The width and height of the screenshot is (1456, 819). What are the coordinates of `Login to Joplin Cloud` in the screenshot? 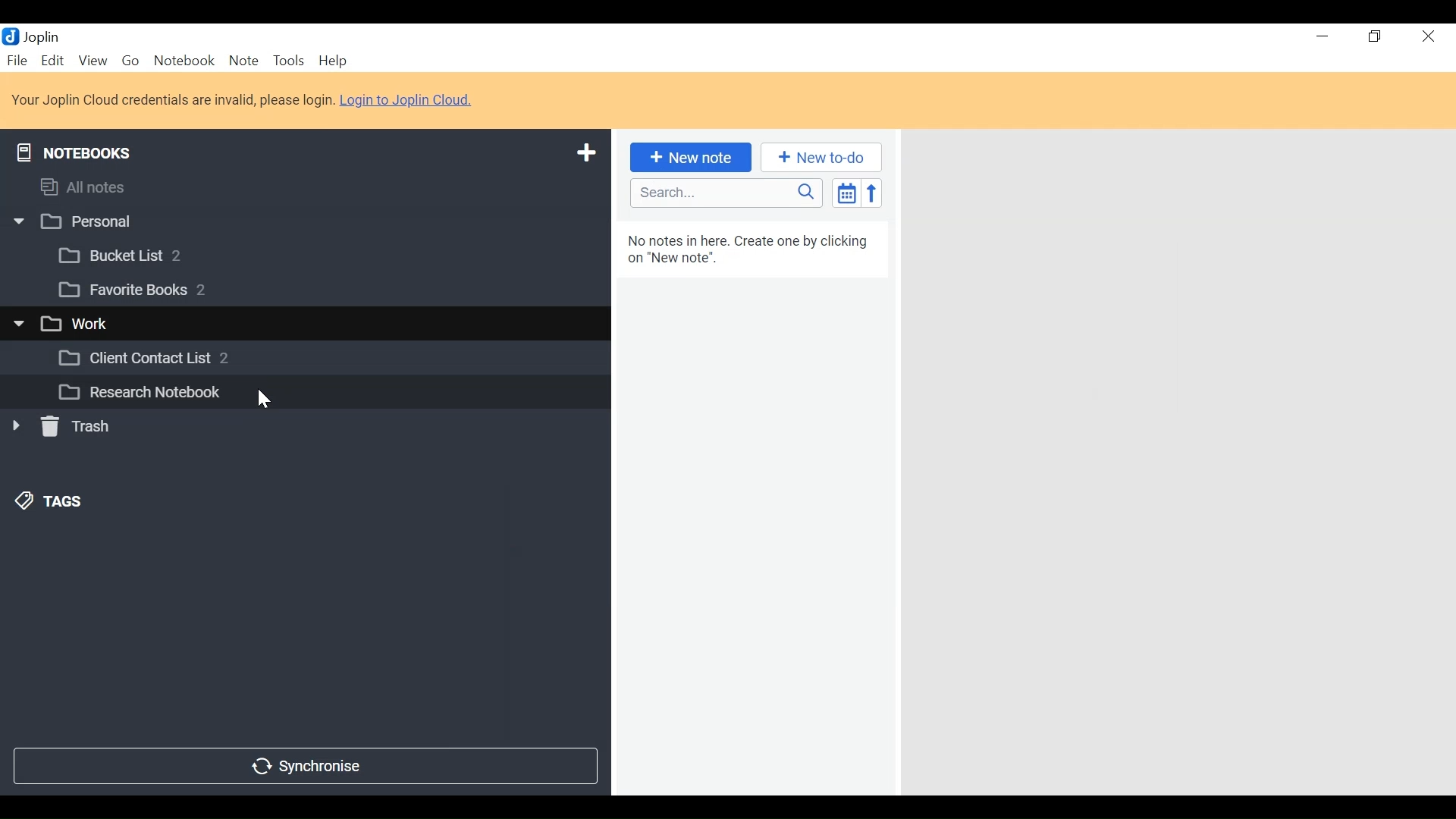 It's located at (411, 100).